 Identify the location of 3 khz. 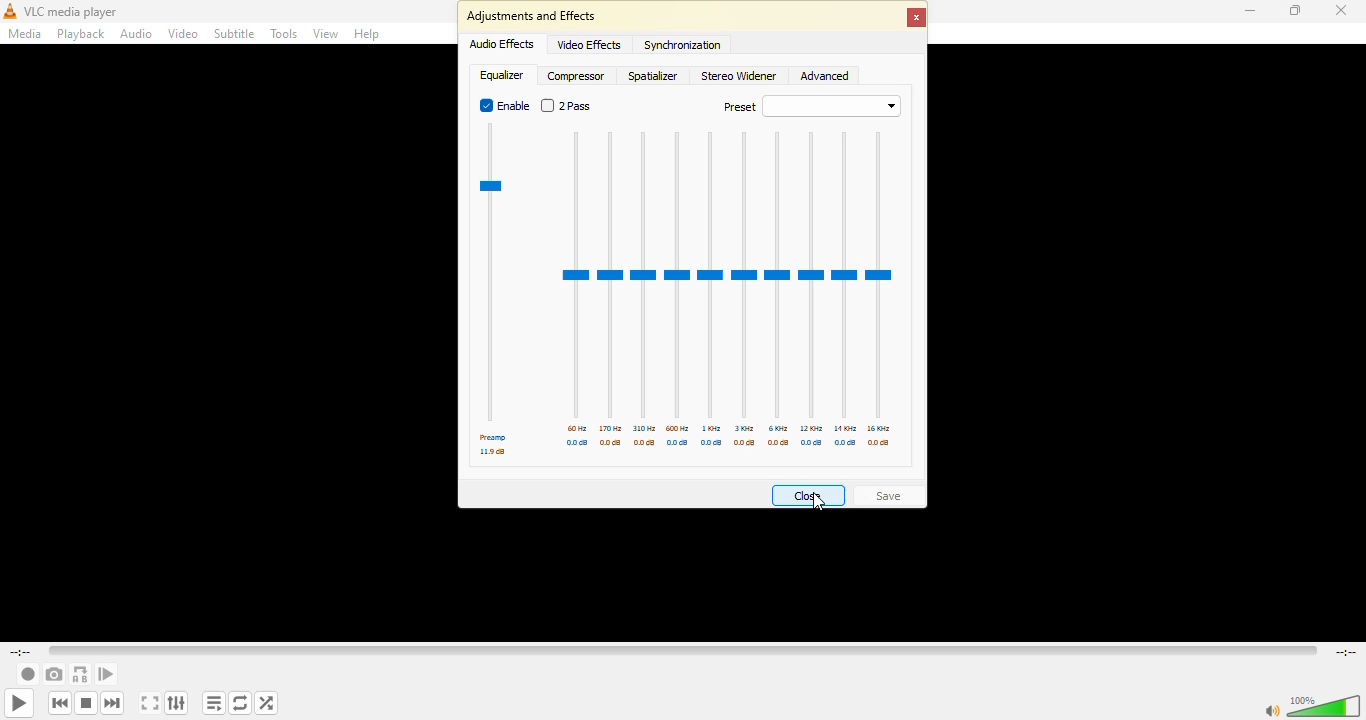
(745, 428).